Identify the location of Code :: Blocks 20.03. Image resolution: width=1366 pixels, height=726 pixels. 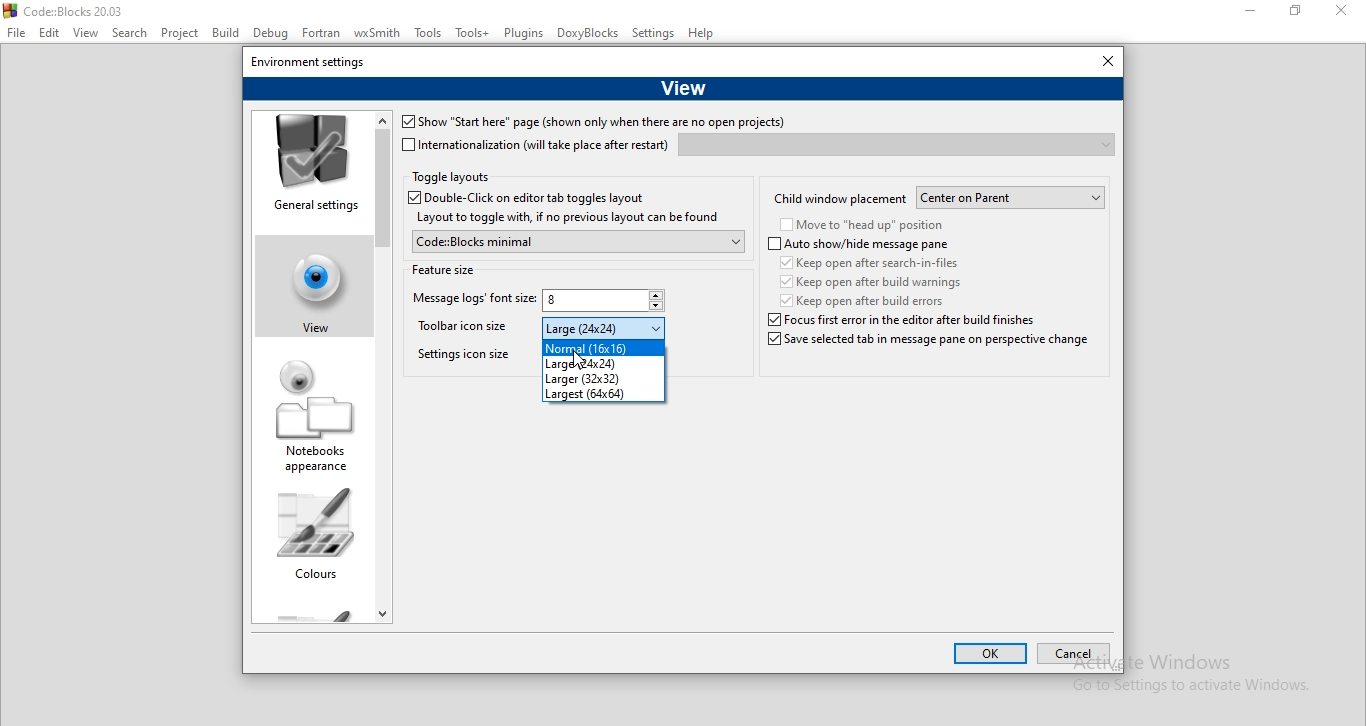
(67, 10).